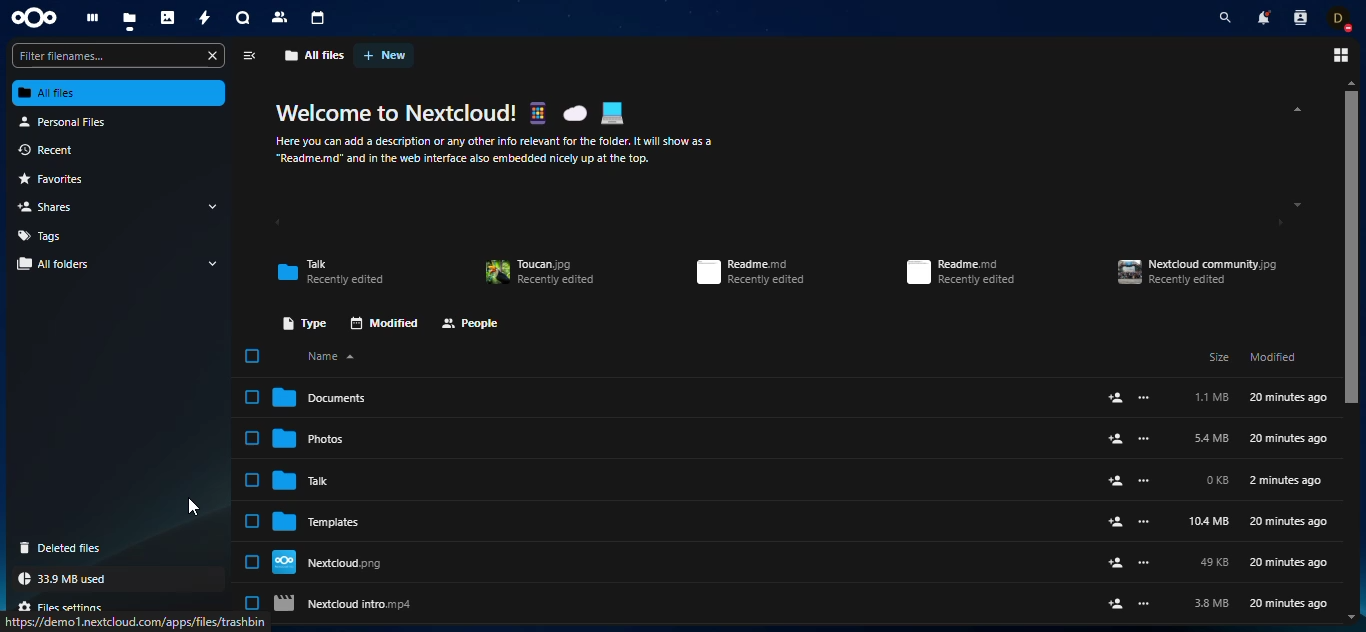 The width and height of the screenshot is (1366, 632). What do you see at coordinates (475, 322) in the screenshot?
I see `People` at bounding box center [475, 322].